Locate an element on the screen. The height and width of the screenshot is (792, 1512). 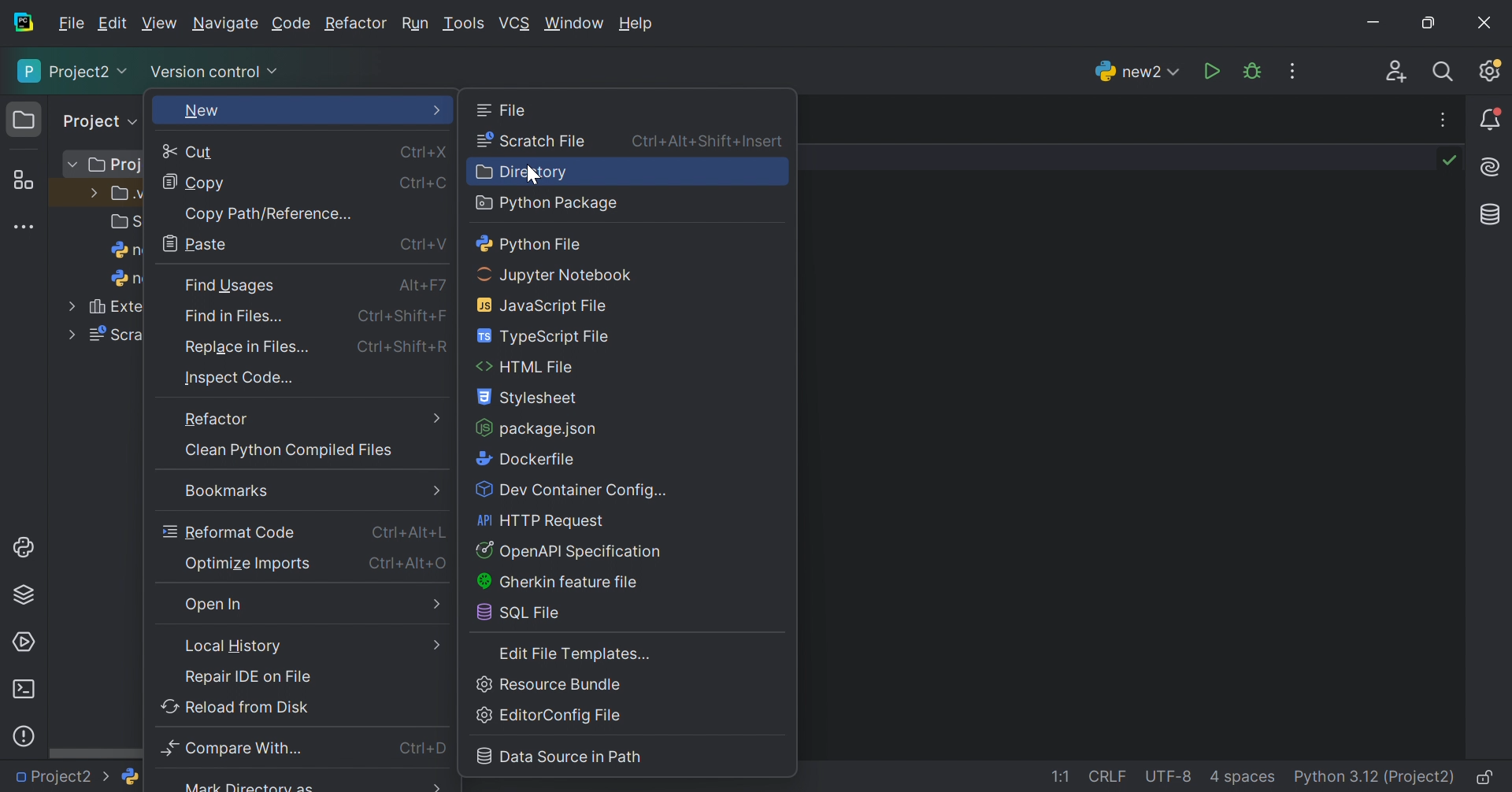
Code is located at coordinates (291, 24).